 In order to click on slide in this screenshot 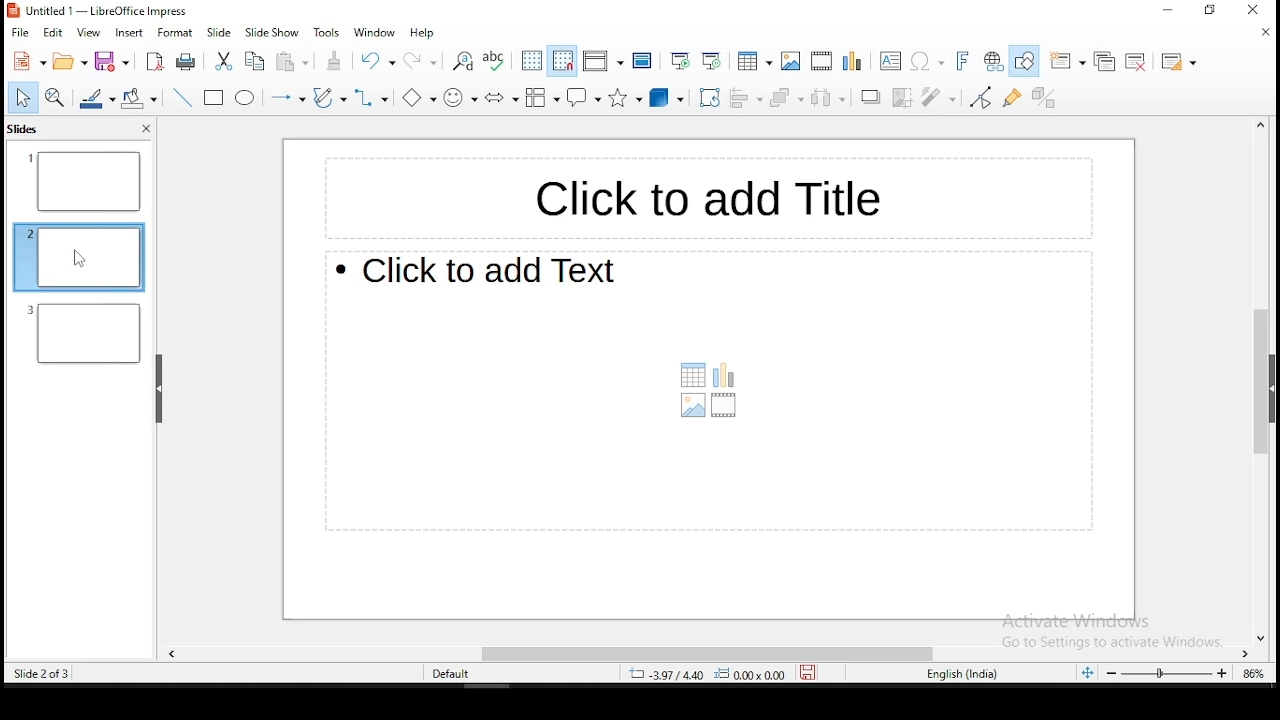, I will do `click(219, 33)`.